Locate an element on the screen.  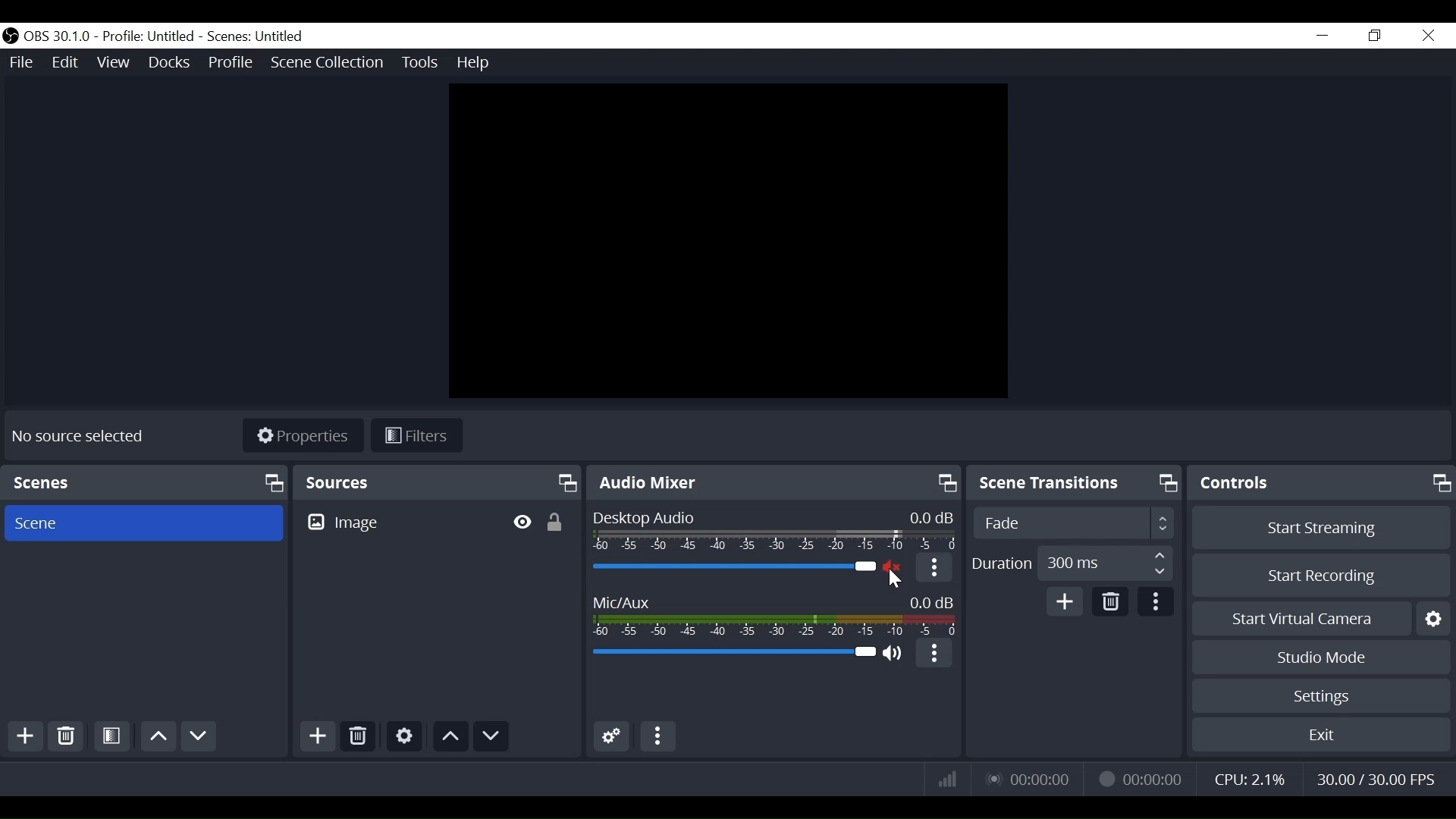
Audio Mixer is located at coordinates (774, 483).